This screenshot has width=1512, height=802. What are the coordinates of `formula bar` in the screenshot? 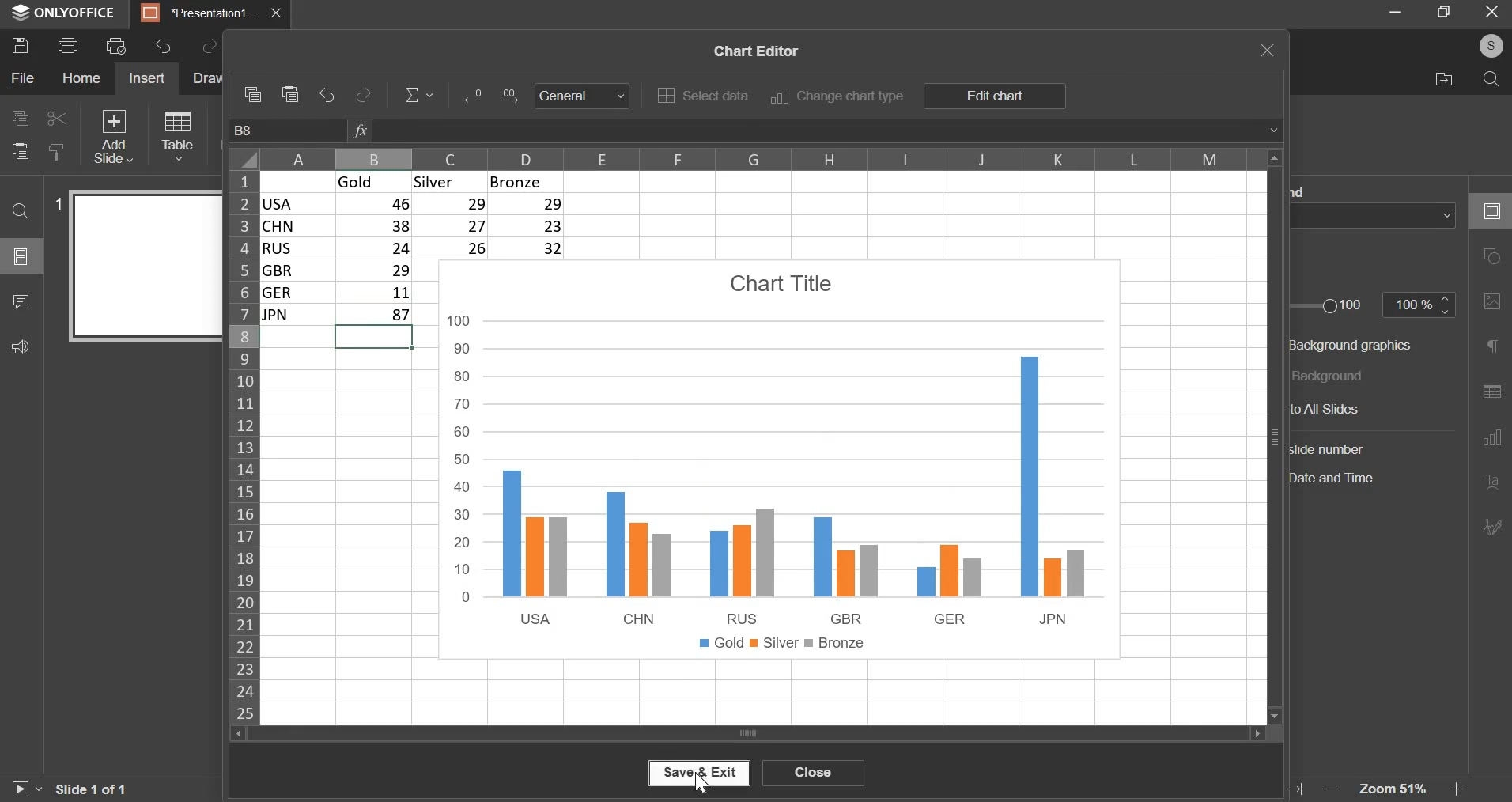 It's located at (818, 131).